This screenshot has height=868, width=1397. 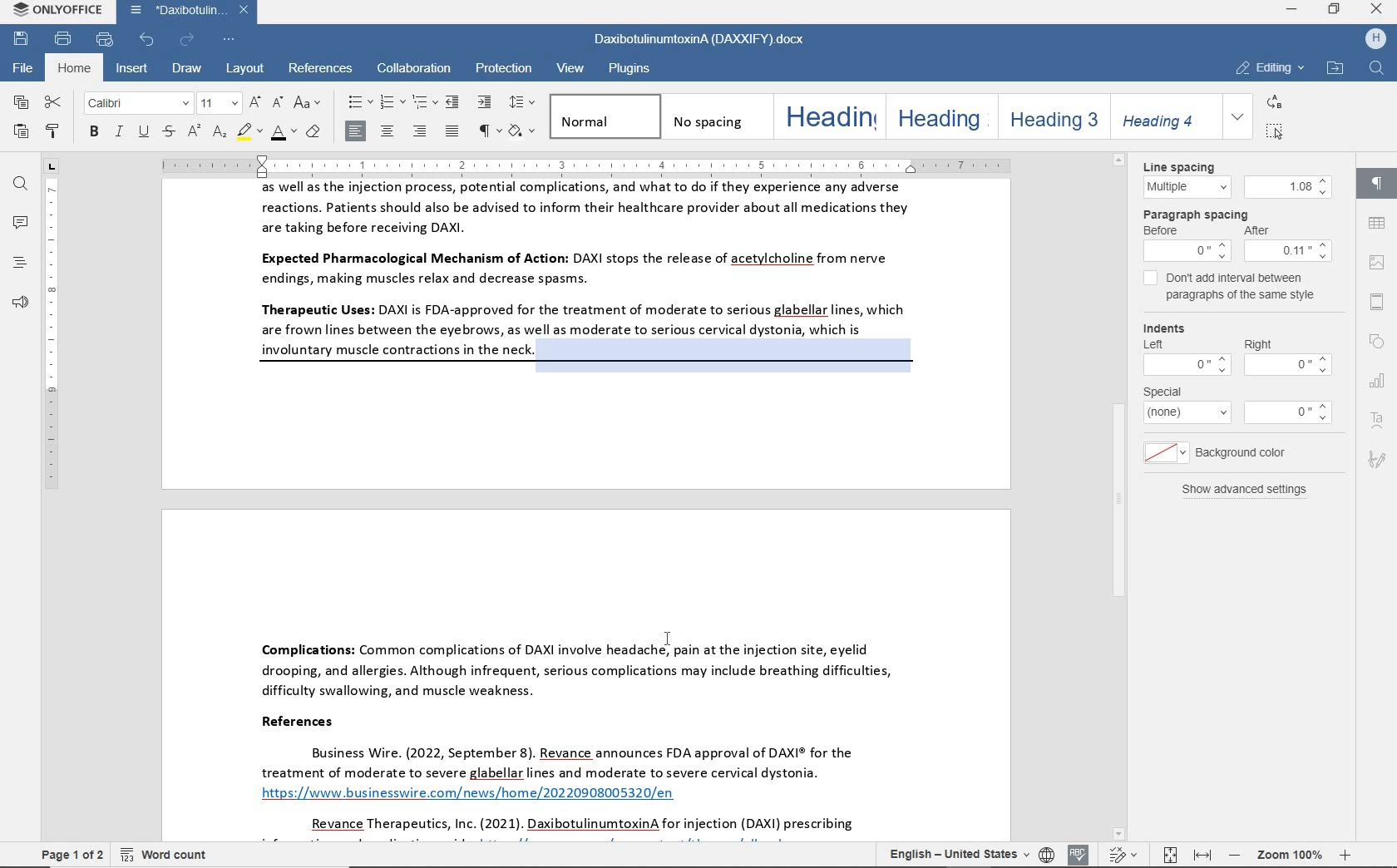 I want to click on bold, so click(x=93, y=133).